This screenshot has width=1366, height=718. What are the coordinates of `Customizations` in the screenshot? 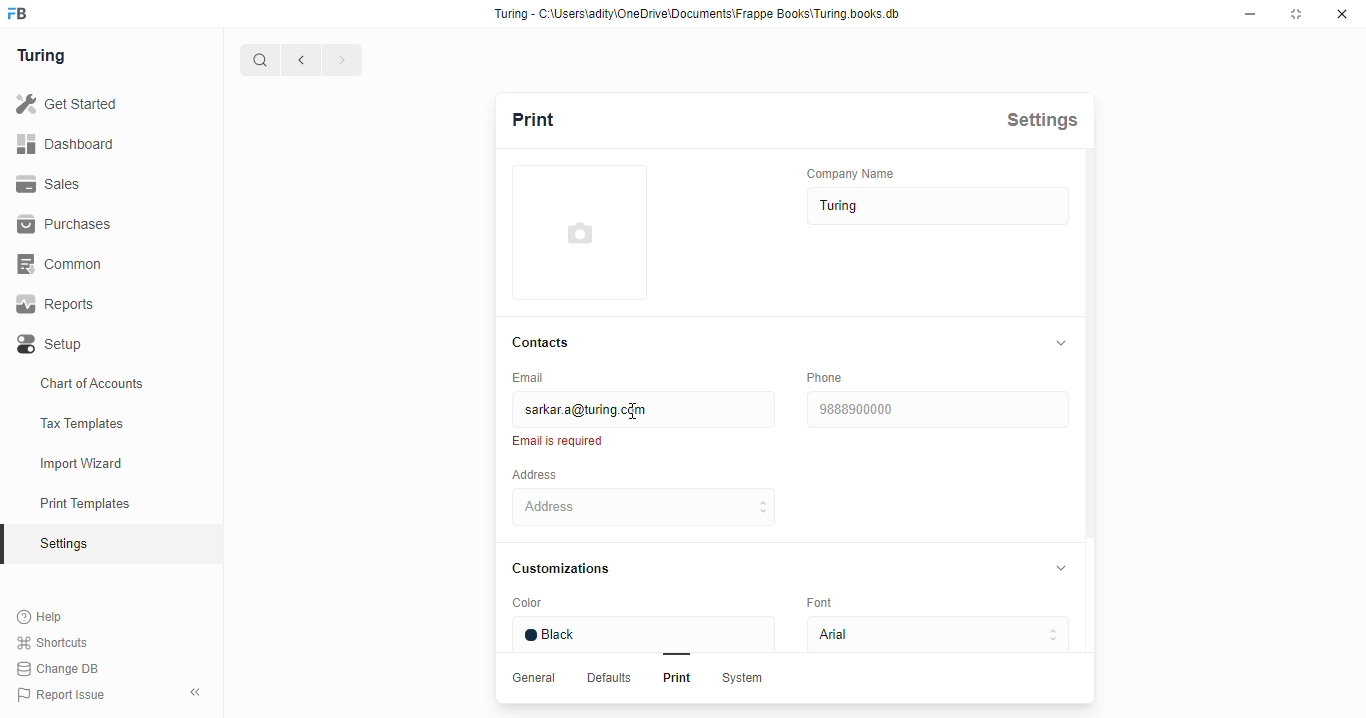 It's located at (571, 568).